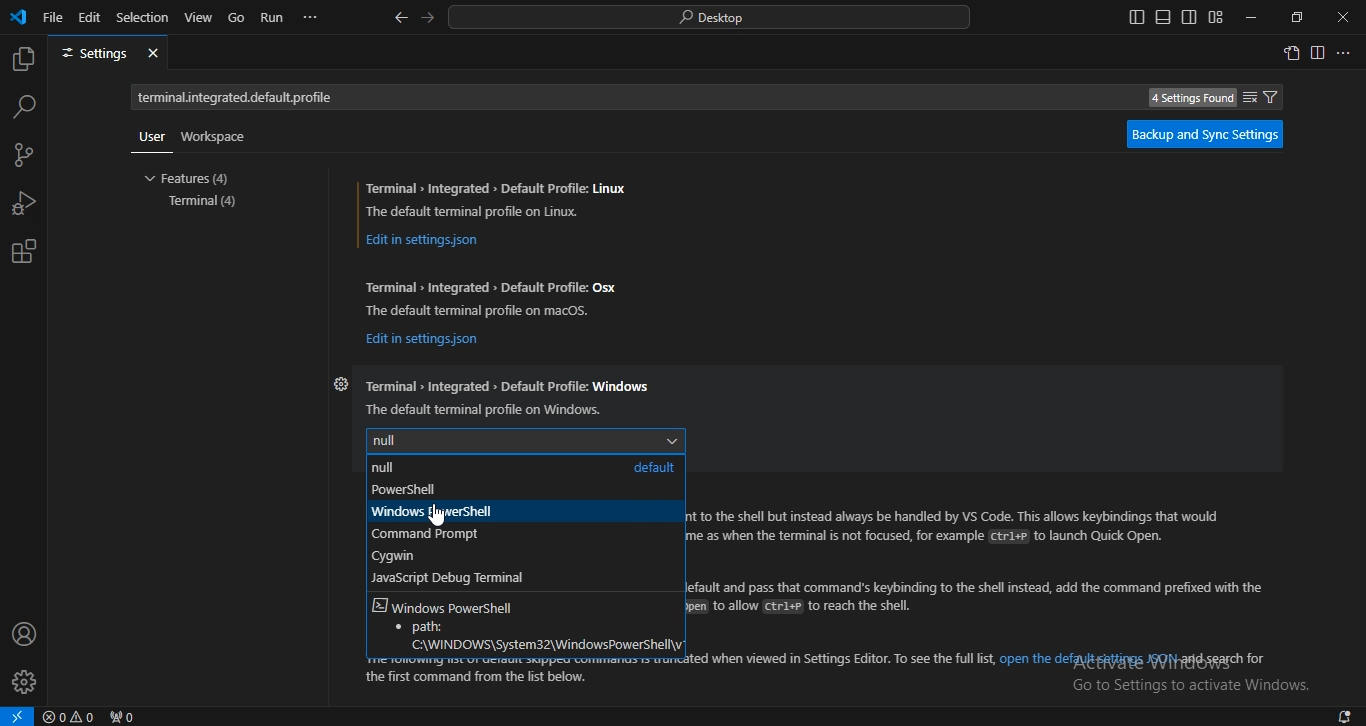 This screenshot has height=726, width=1366. What do you see at coordinates (444, 535) in the screenshot?
I see `command prompt` at bounding box center [444, 535].